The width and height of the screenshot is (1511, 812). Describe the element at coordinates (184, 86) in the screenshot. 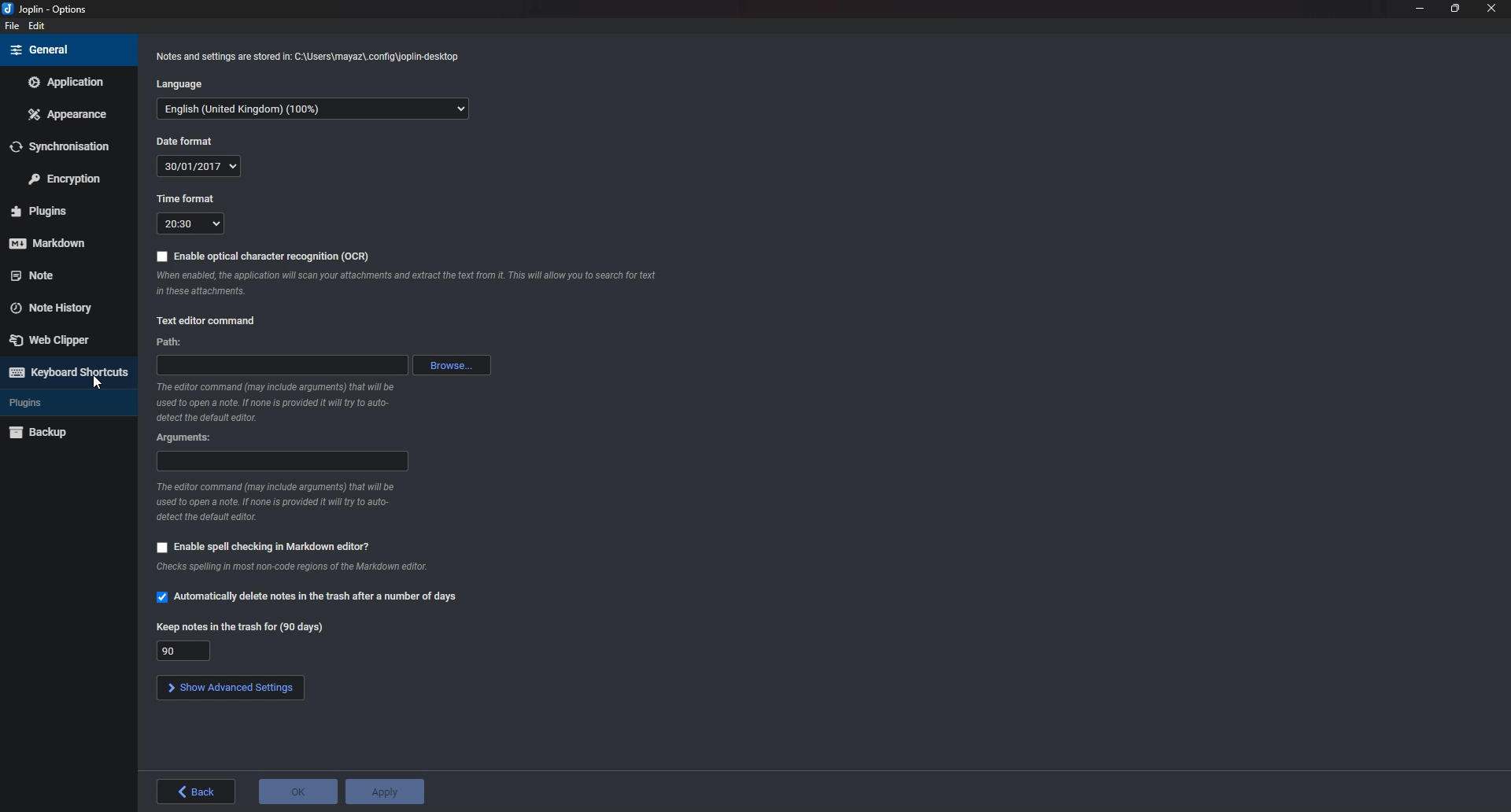

I see `Language` at that location.